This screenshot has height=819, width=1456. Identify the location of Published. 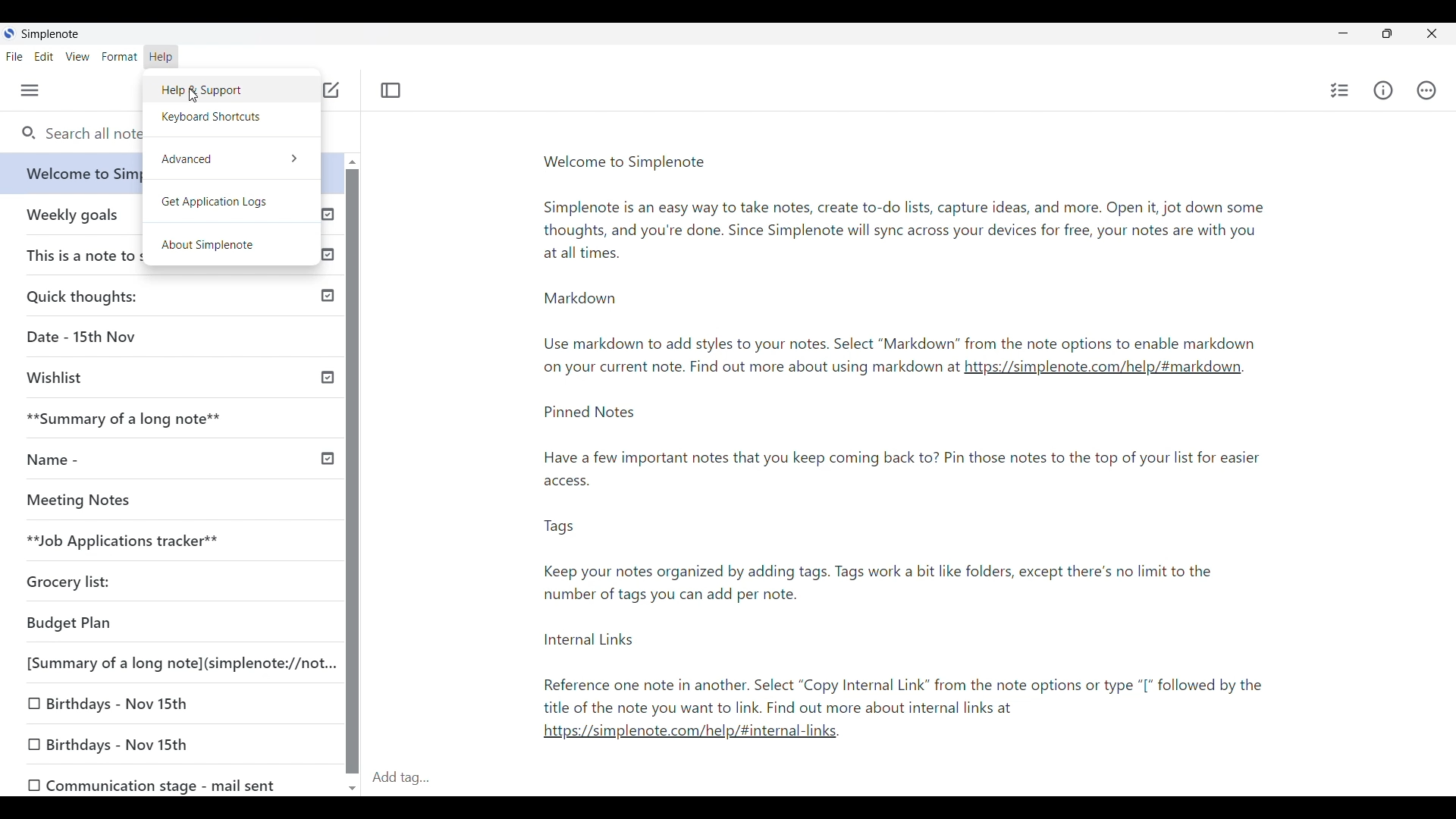
(331, 213).